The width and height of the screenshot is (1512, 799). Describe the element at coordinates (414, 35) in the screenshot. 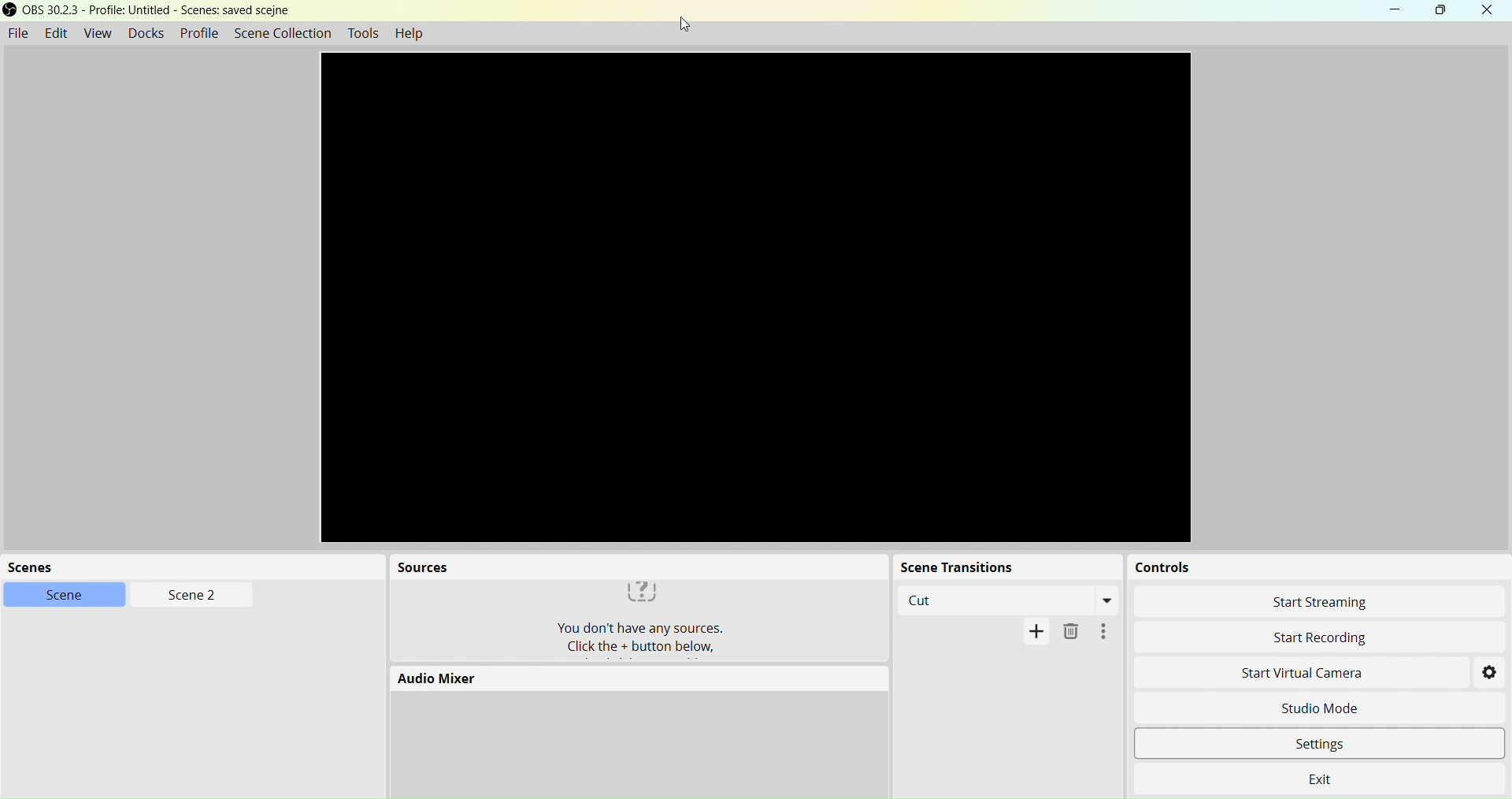

I see `Help` at that location.